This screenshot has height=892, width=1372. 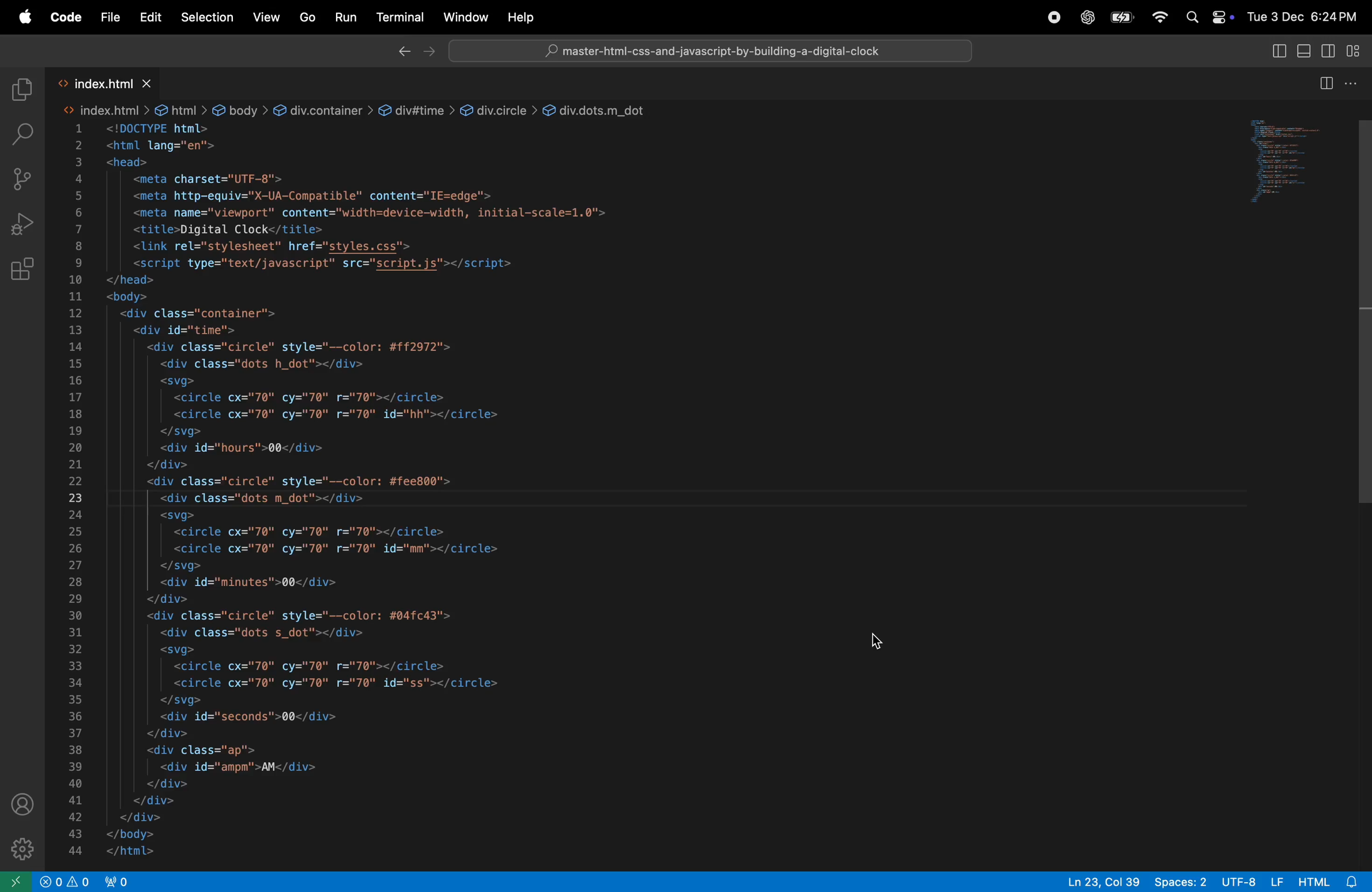 What do you see at coordinates (14, 881) in the screenshot?
I see `new window` at bounding box center [14, 881].